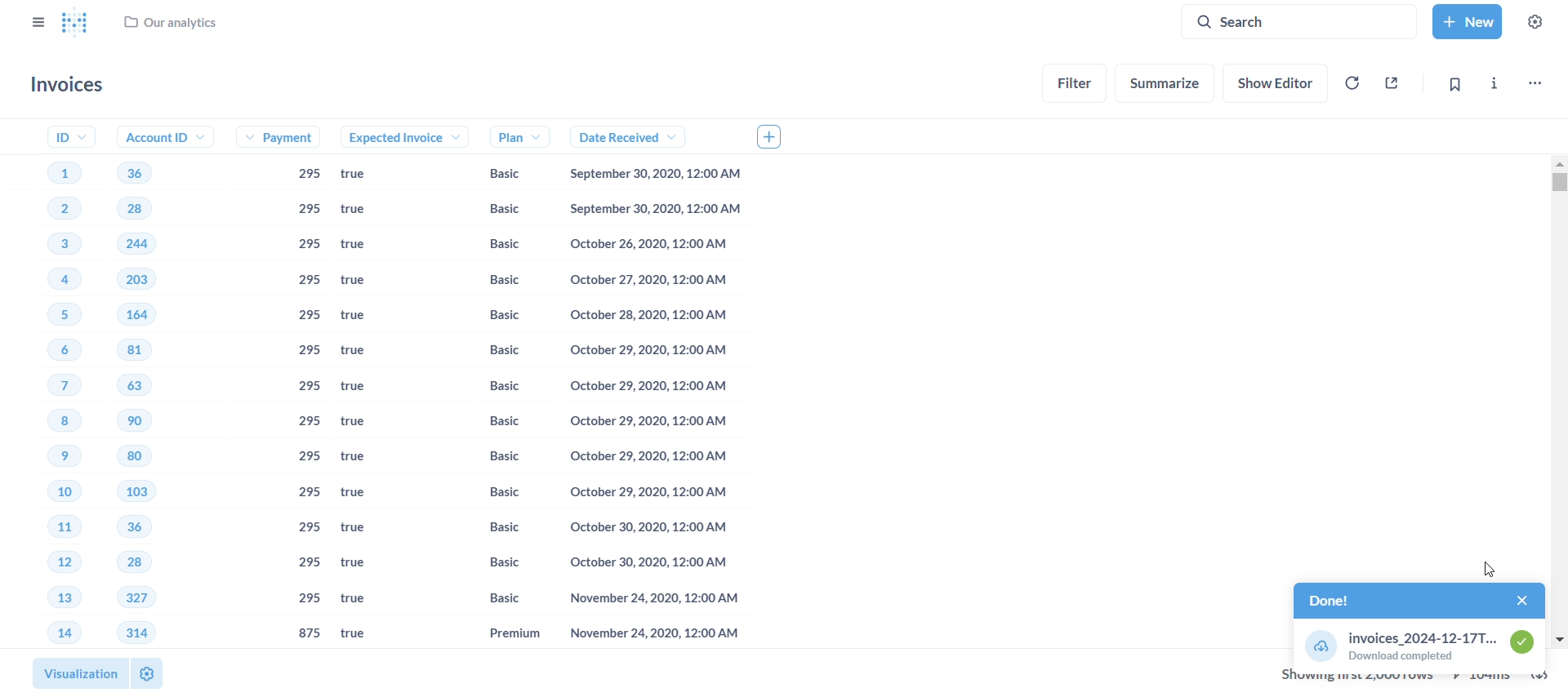 This screenshot has width=1568, height=697. What do you see at coordinates (133, 172) in the screenshot?
I see `36` at bounding box center [133, 172].